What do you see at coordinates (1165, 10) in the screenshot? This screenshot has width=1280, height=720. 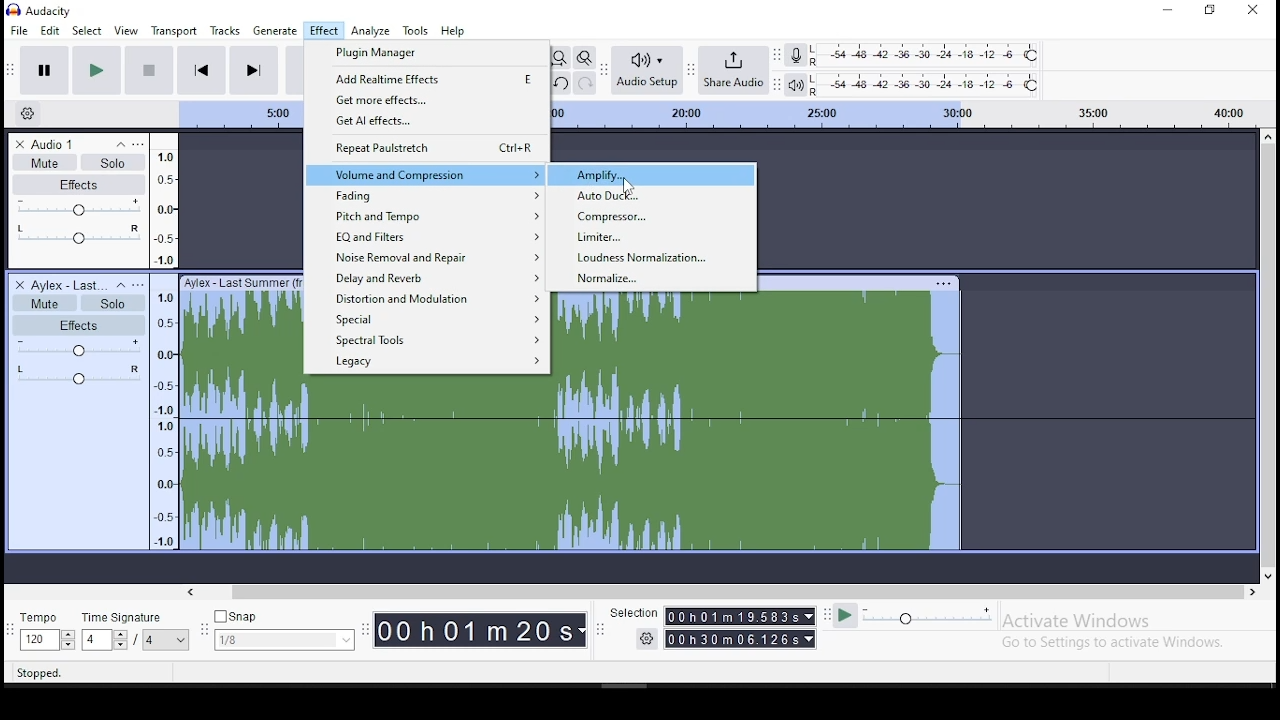 I see `minimize` at bounding box center [1165, 10].